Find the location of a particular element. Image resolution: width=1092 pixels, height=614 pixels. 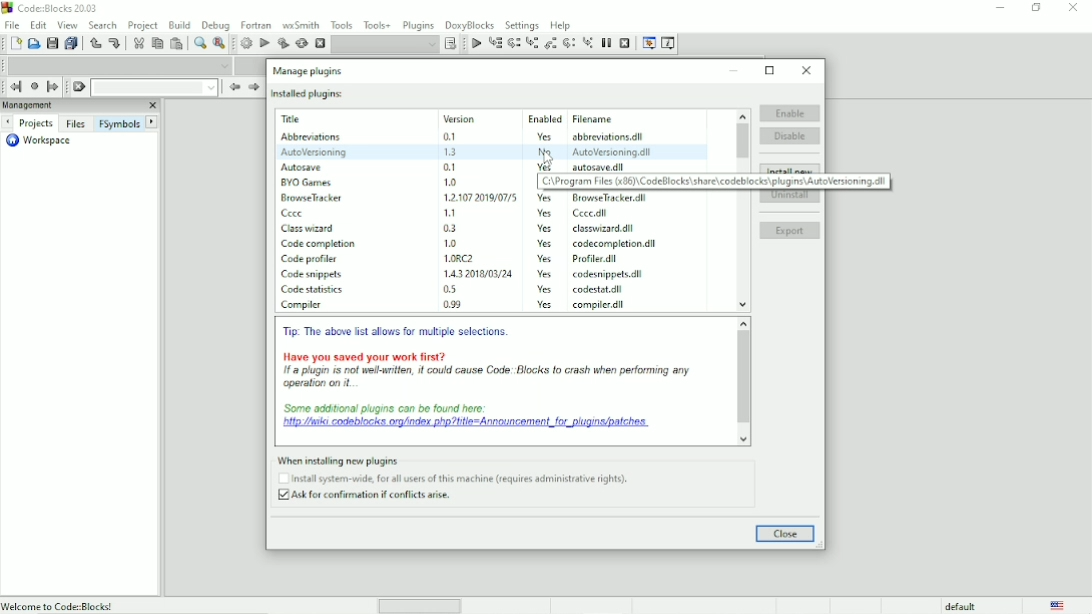

version  is located at coordinates (476, 196).